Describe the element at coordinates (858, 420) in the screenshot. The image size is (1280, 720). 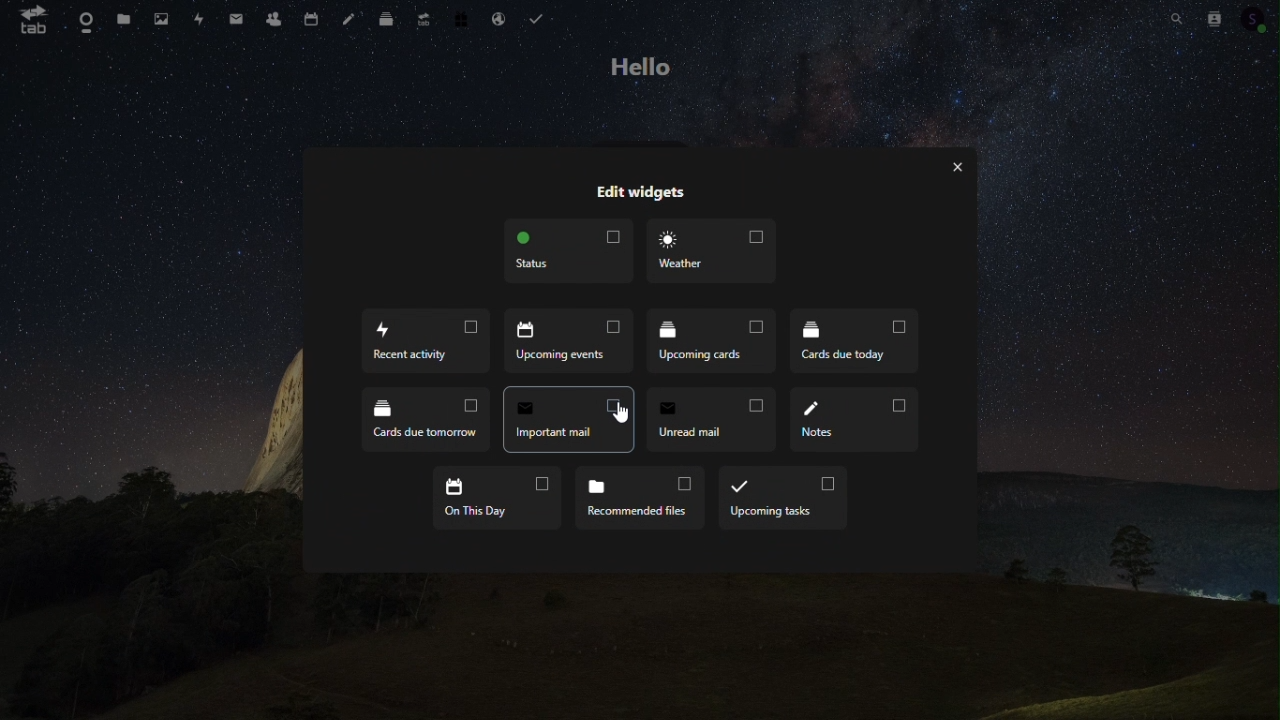
I see `notes` at that location.